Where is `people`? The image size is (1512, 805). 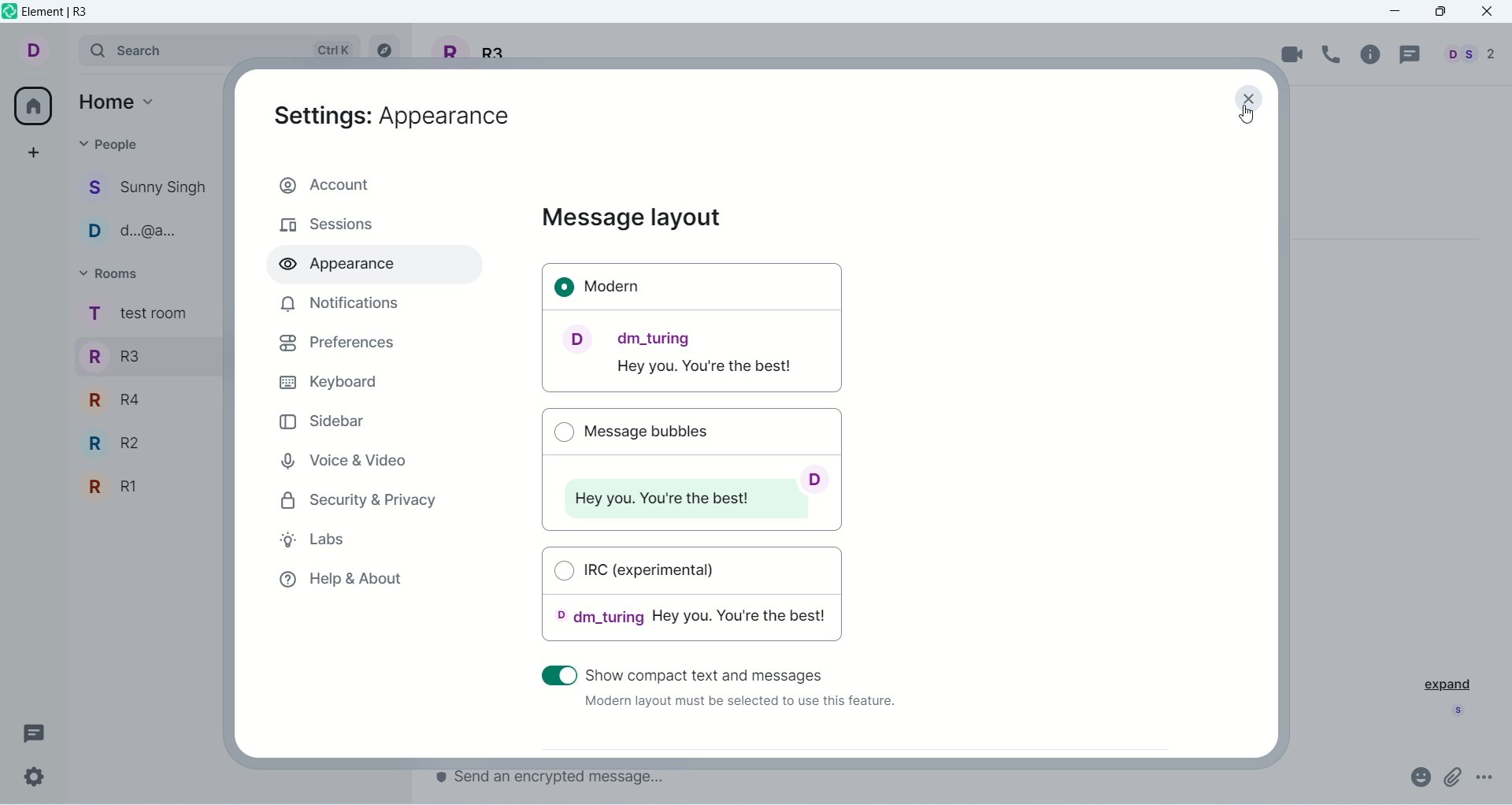 people is located at coordinates (146, 232).